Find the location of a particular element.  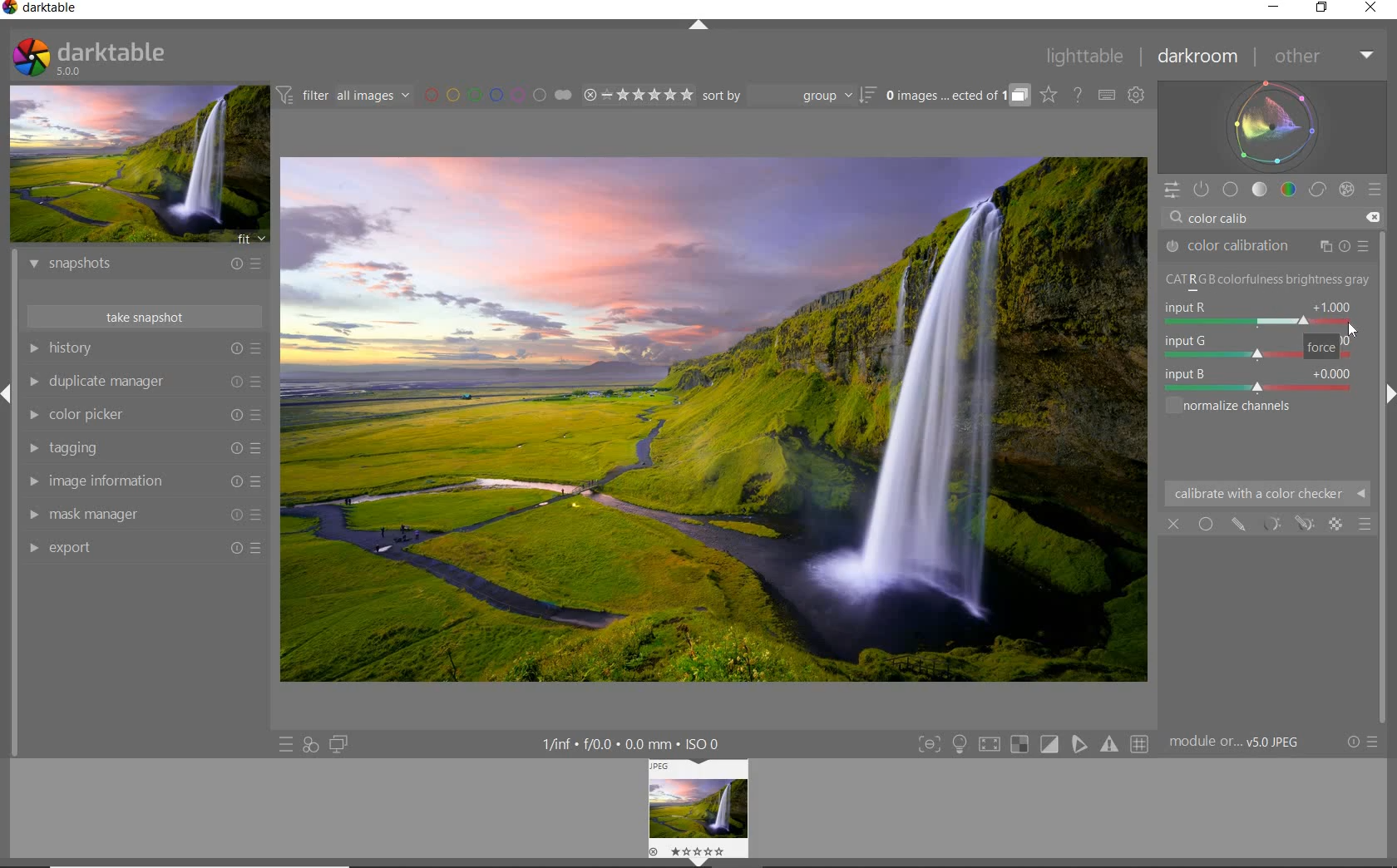

FILTER IMAGES BASED ON THEIR MODULE ORDER is located at coordinates (343, 96).